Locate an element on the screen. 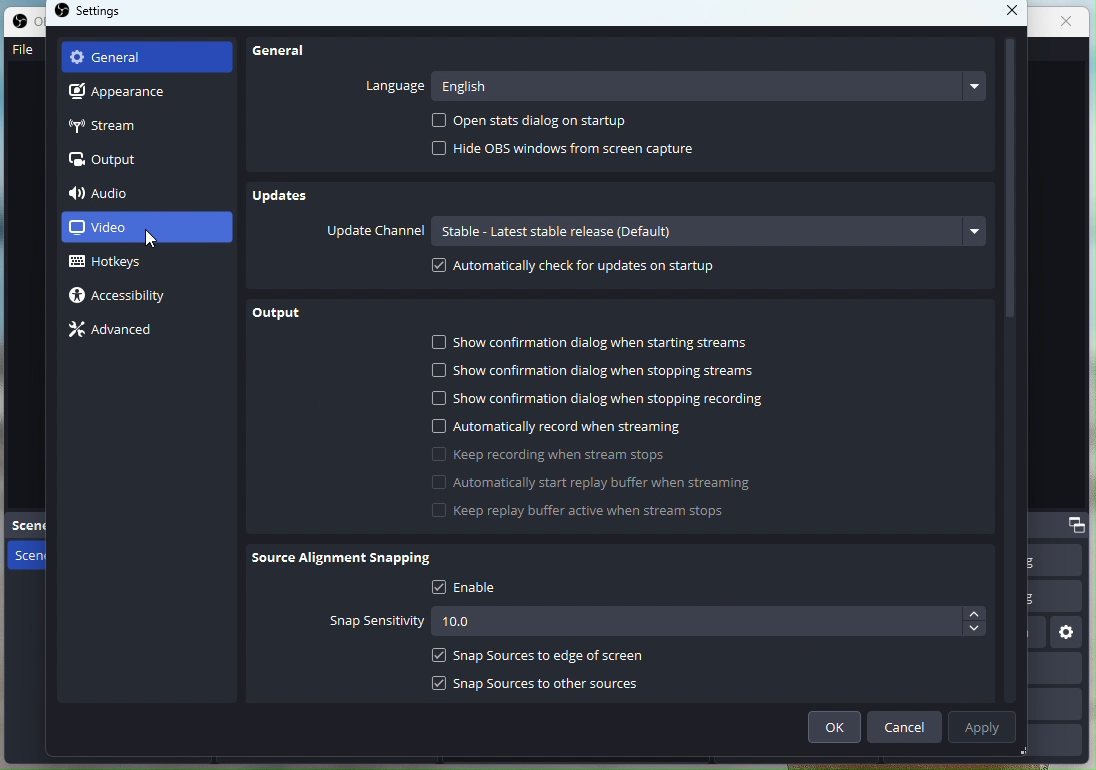   is located at coordinates (976, 608).